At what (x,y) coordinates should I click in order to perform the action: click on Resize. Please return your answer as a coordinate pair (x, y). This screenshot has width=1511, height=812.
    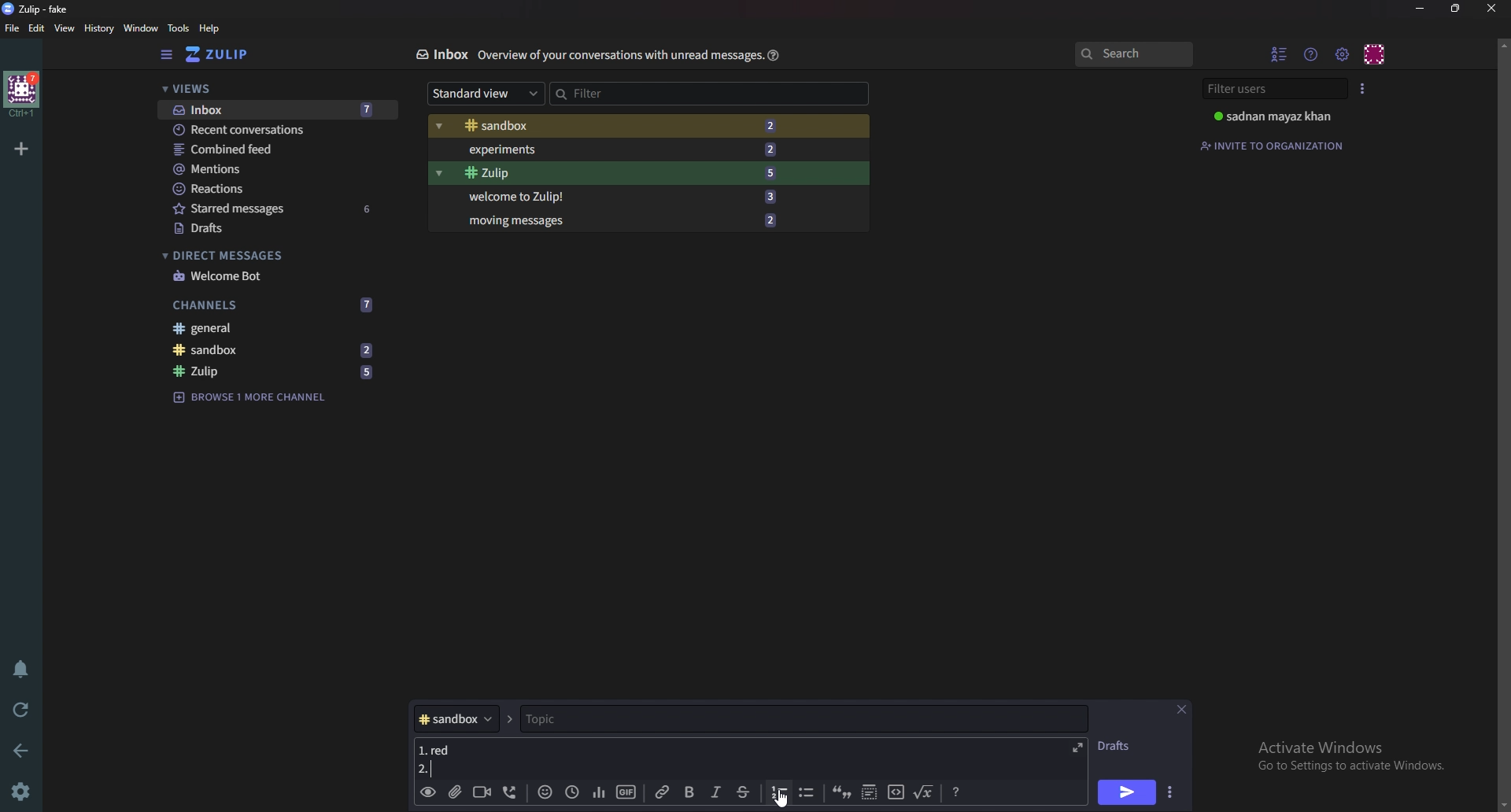
    Looking at the image, I should click on (1456, 9).